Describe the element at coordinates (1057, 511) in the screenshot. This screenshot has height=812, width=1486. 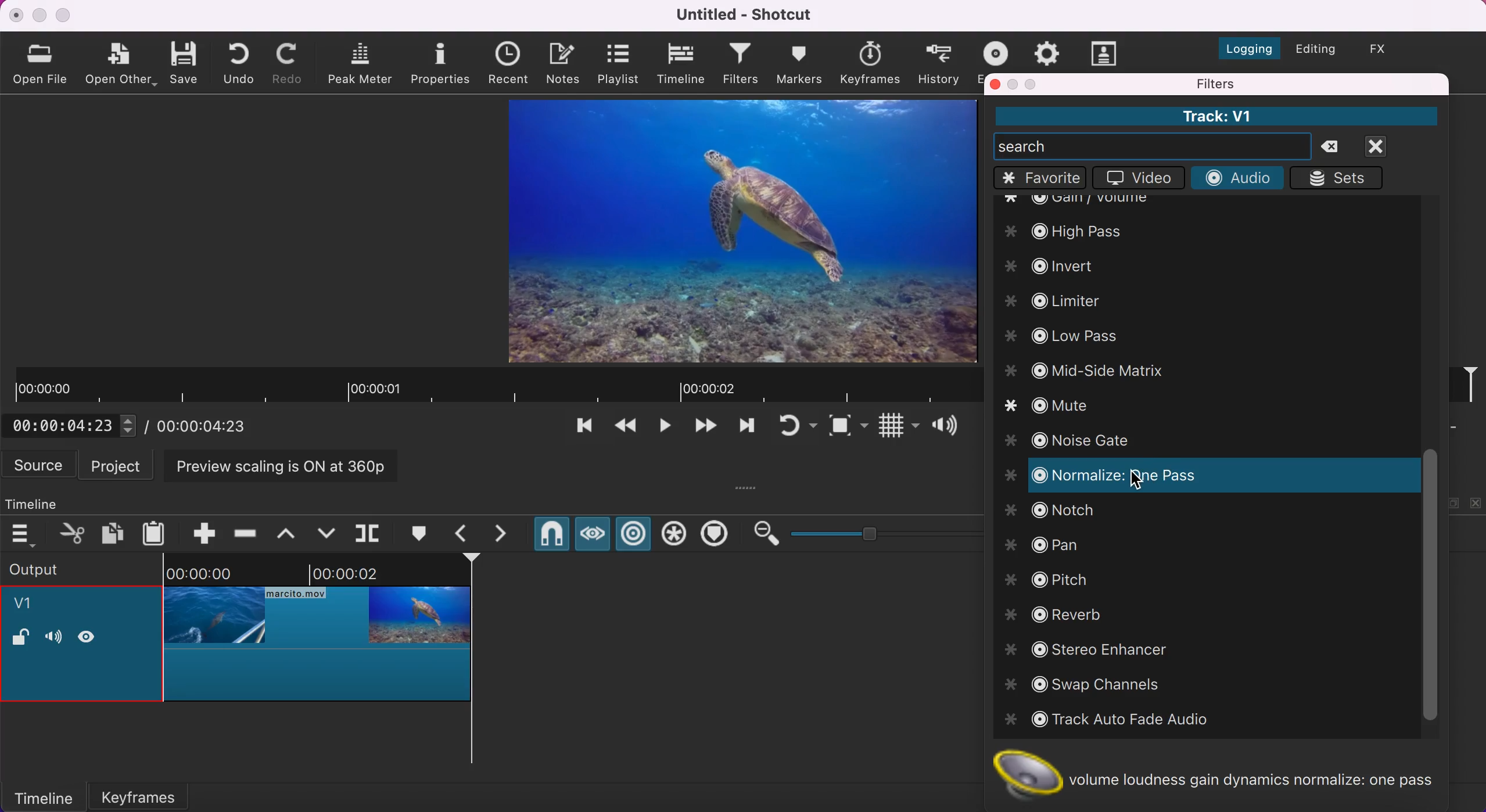
I see `notch` at that location.